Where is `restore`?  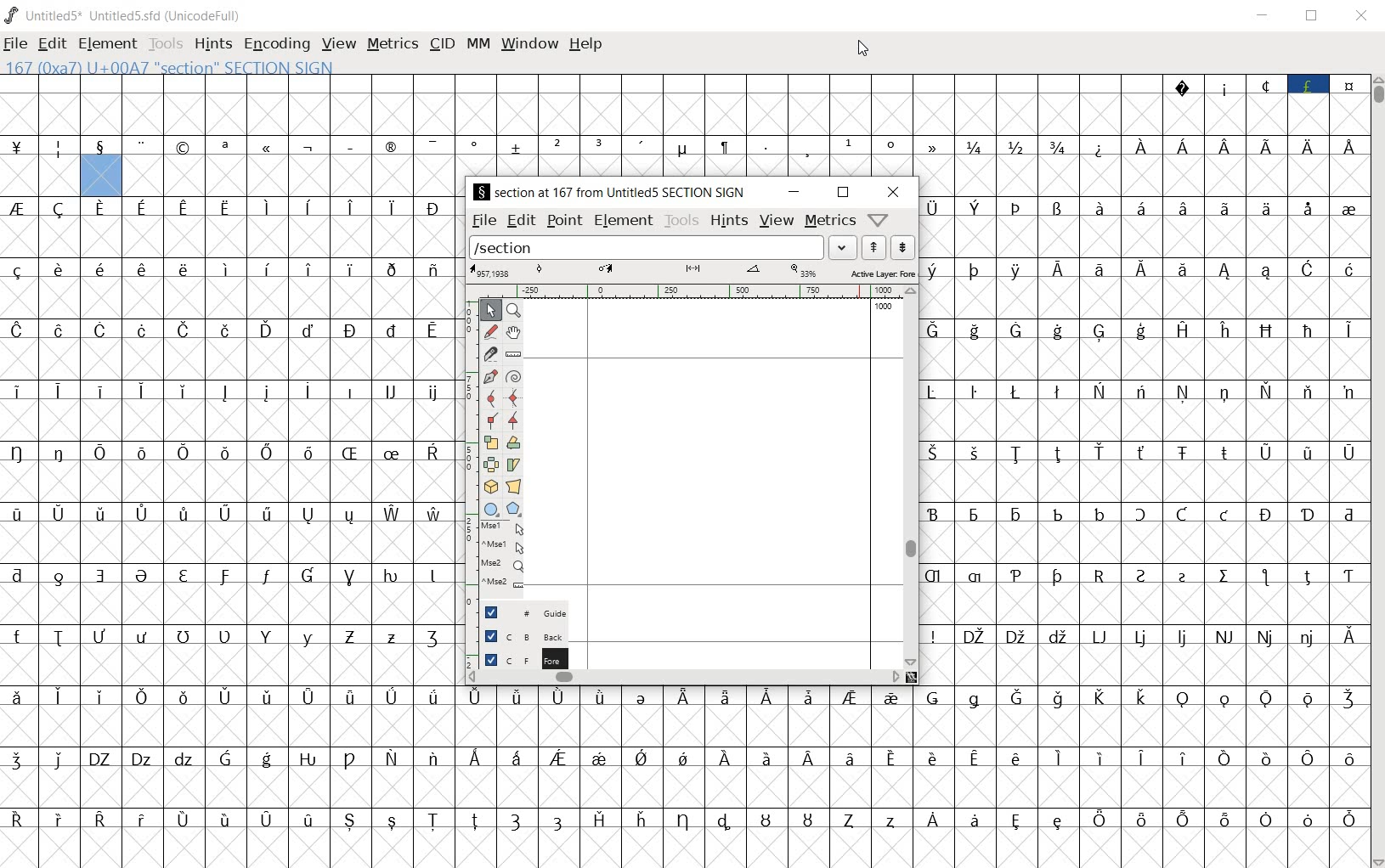 restore is located at coordinates (843, 193).